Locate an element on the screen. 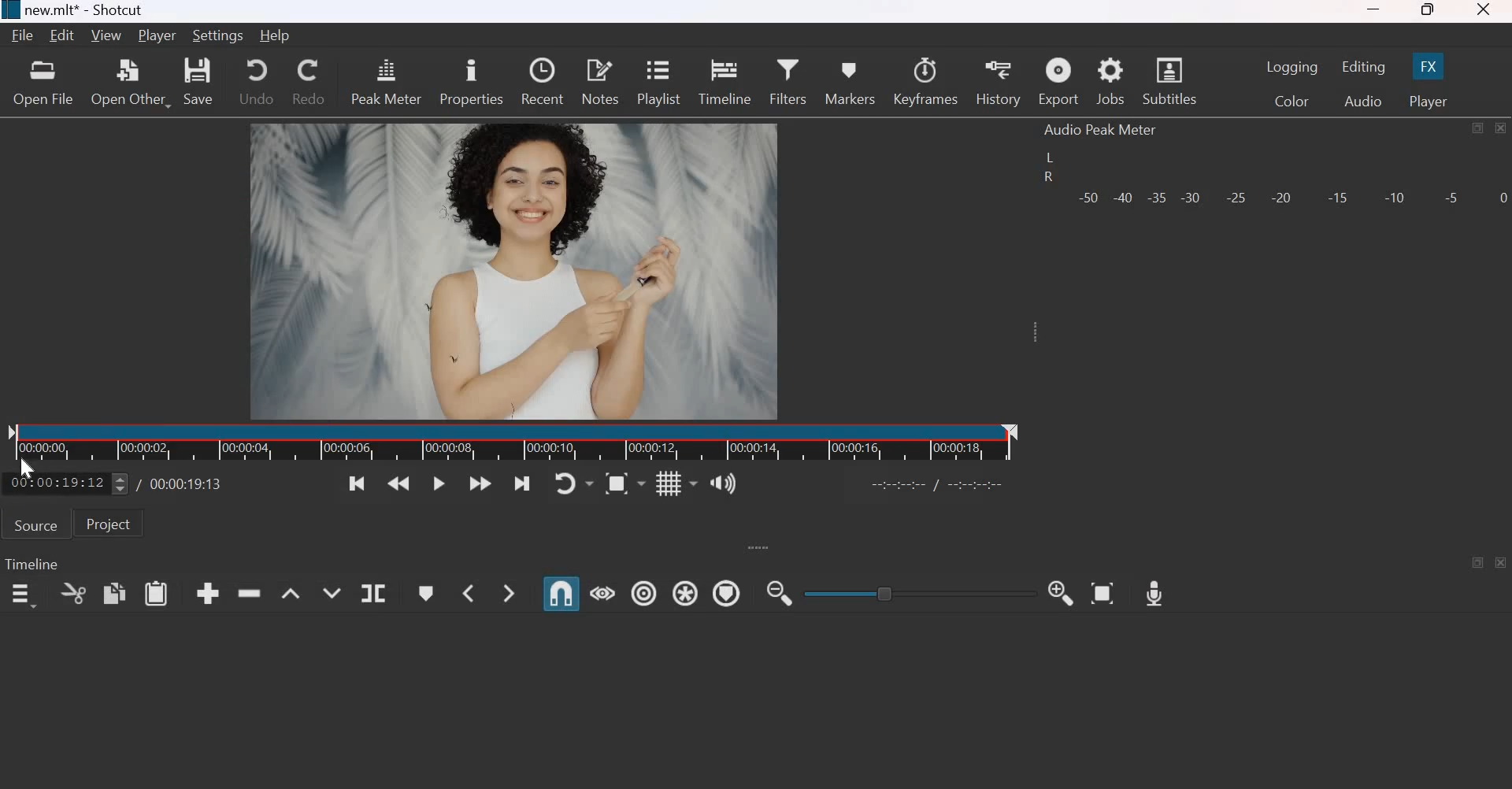 Image resolution: width=1512 pixels, height=789 pixels.  is located at coordinates (939, 483).